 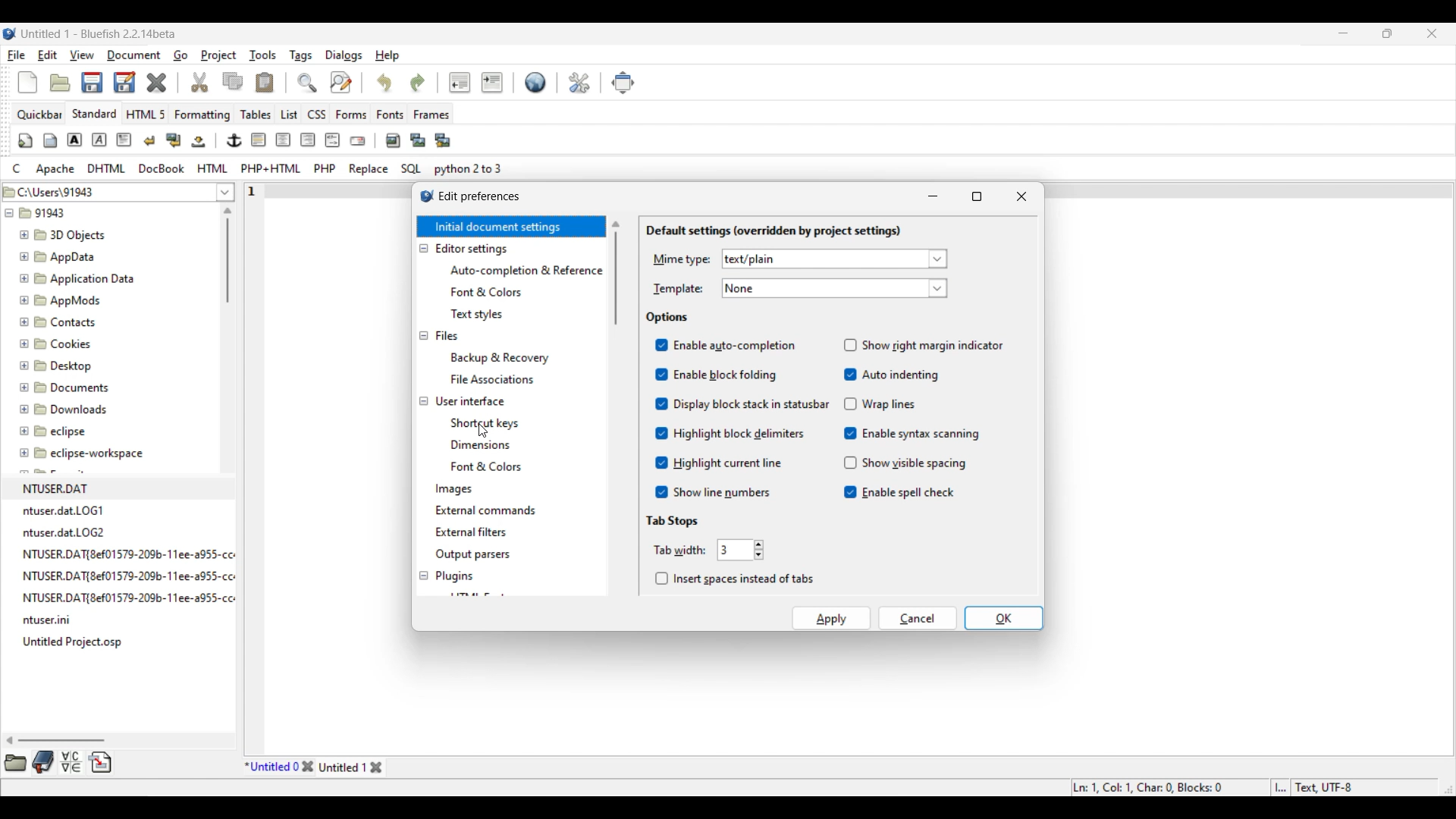 What do you see at coordinates (65, 510) in the screenshot?
I see `ntuser.dat.LOG1` at bounding box center [65, 510].